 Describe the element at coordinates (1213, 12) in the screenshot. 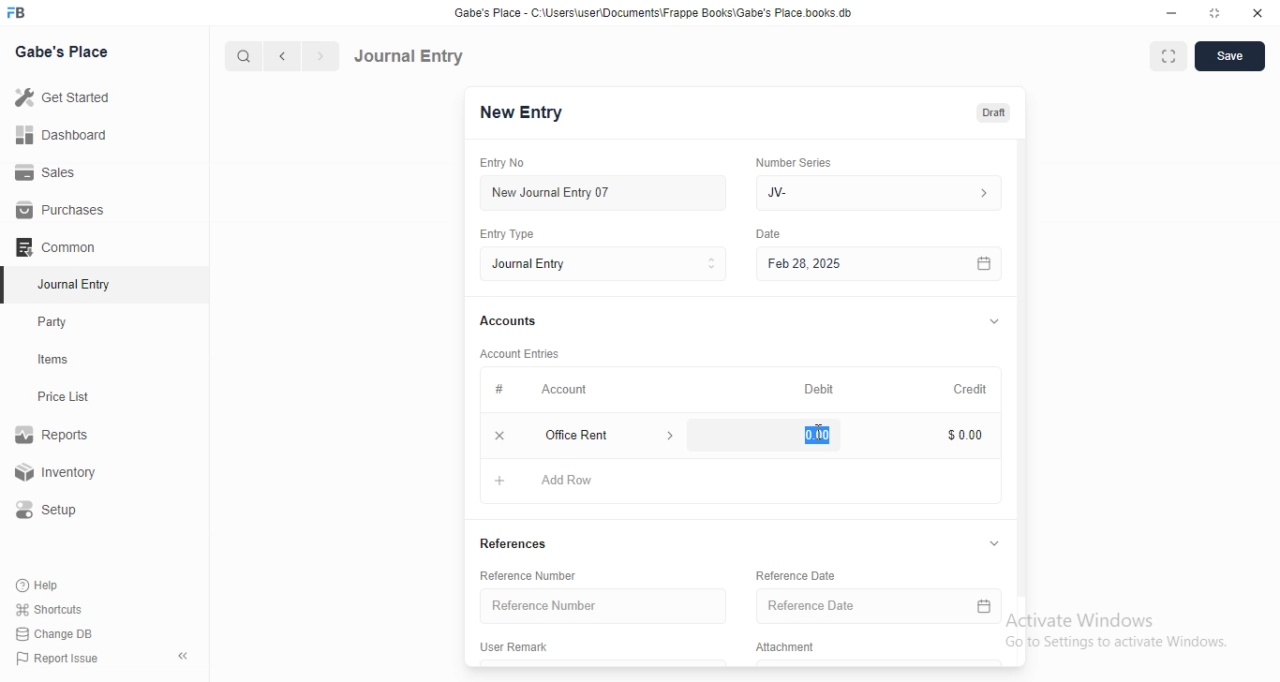

I see `restore` at that location.